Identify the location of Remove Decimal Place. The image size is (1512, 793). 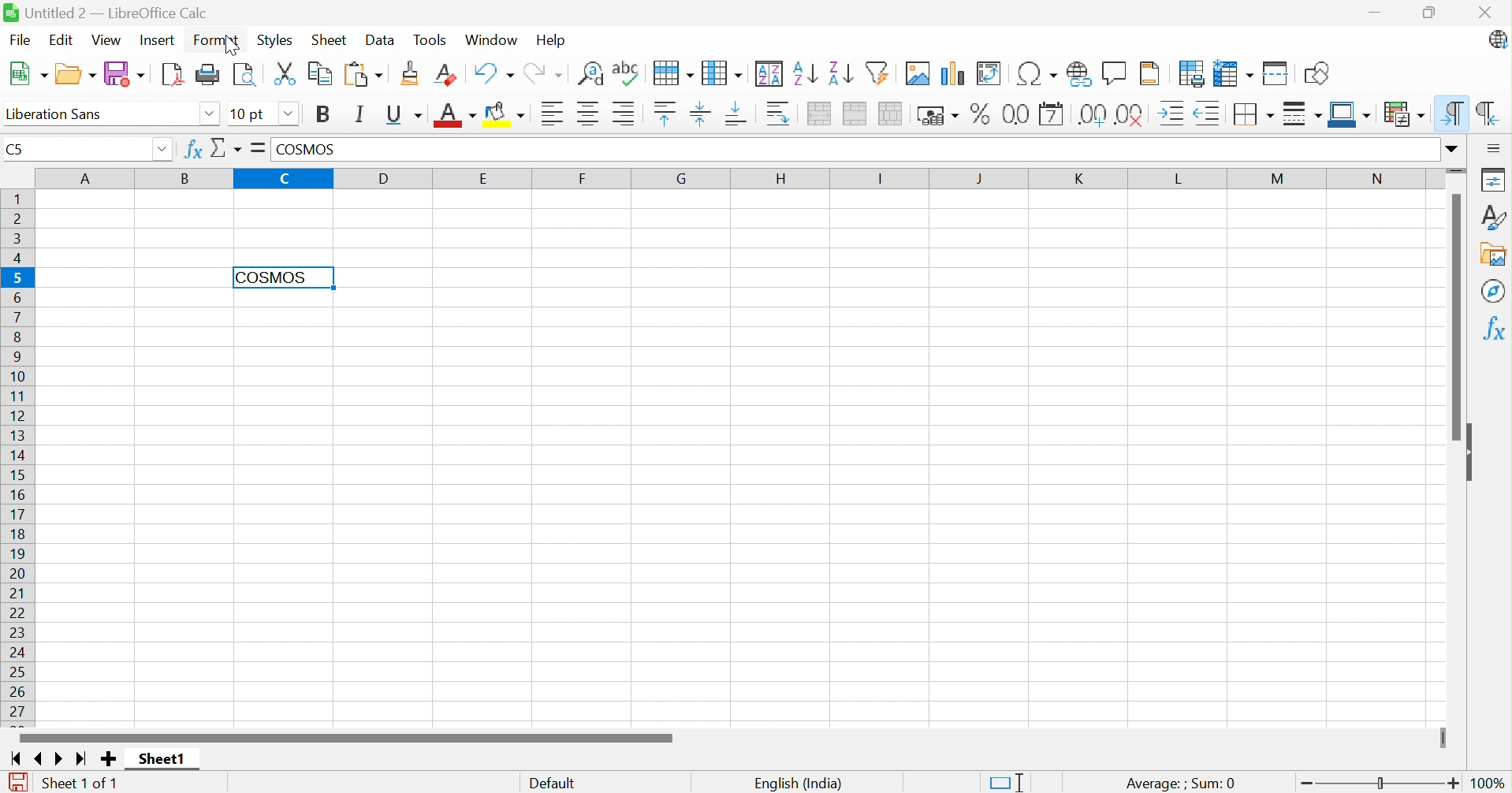
(1130, 115).